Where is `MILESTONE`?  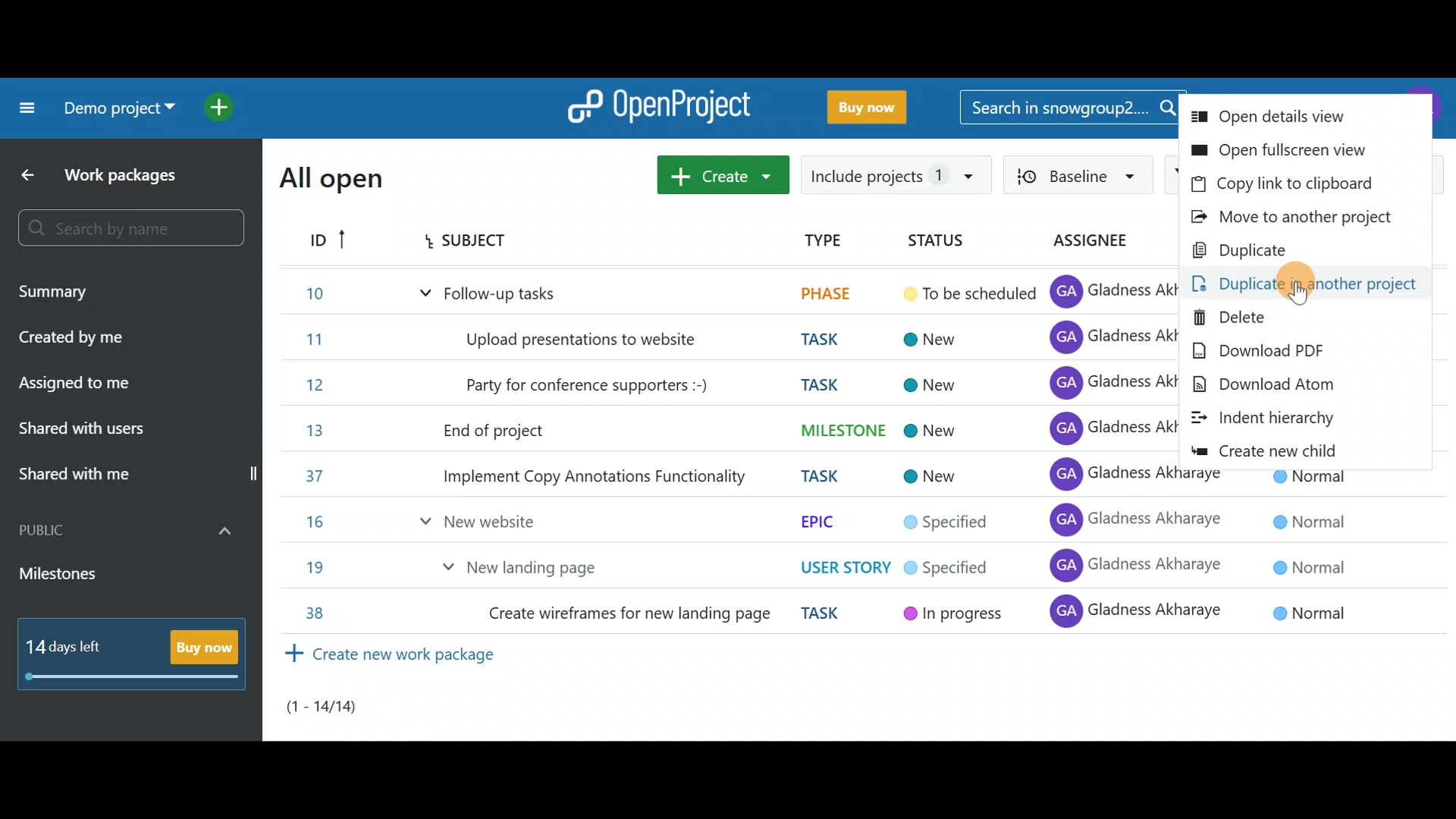
MILESTONE is located at coordinates (836, 429).